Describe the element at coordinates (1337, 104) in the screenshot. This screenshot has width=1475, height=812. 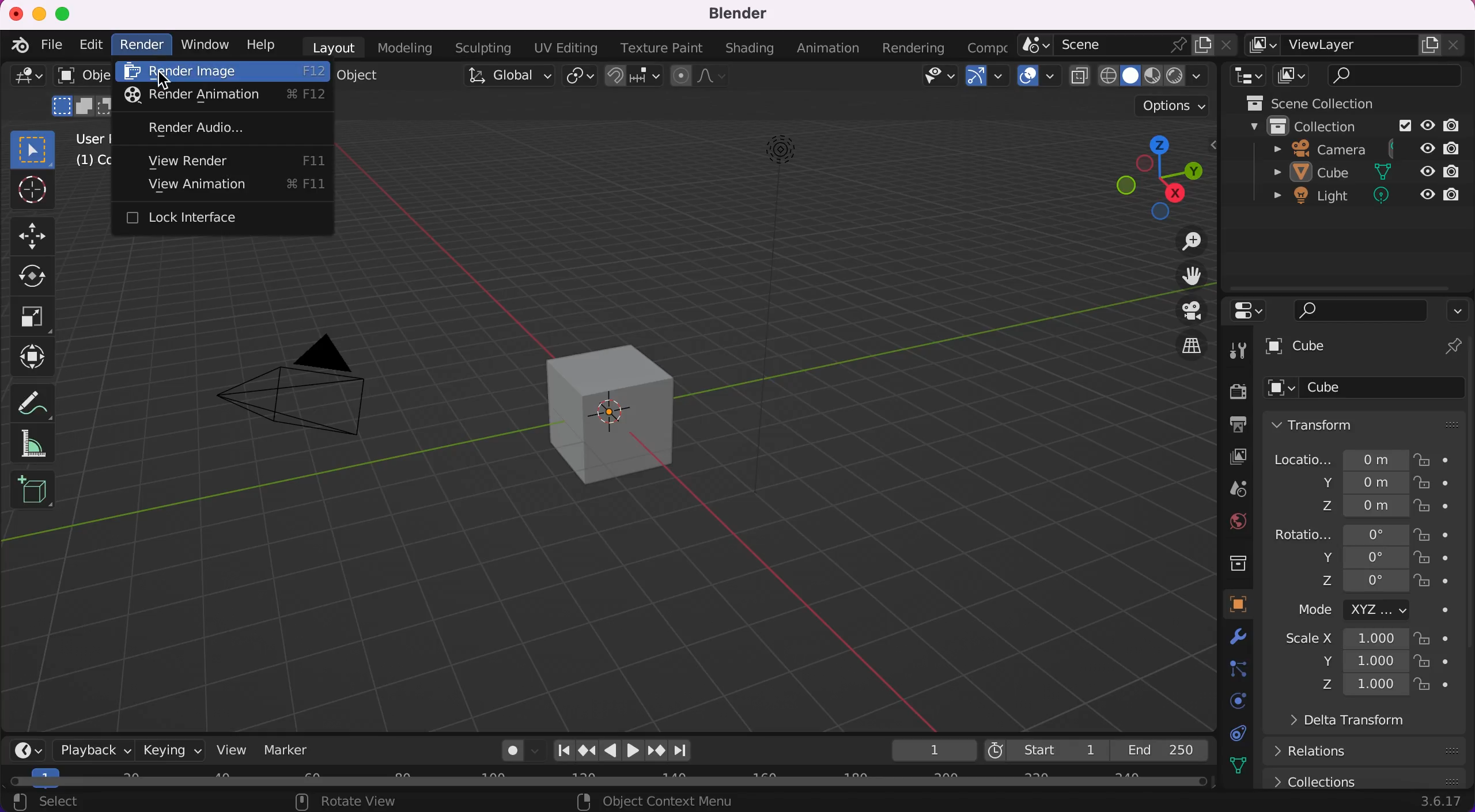
I see `scene collection` at that location.